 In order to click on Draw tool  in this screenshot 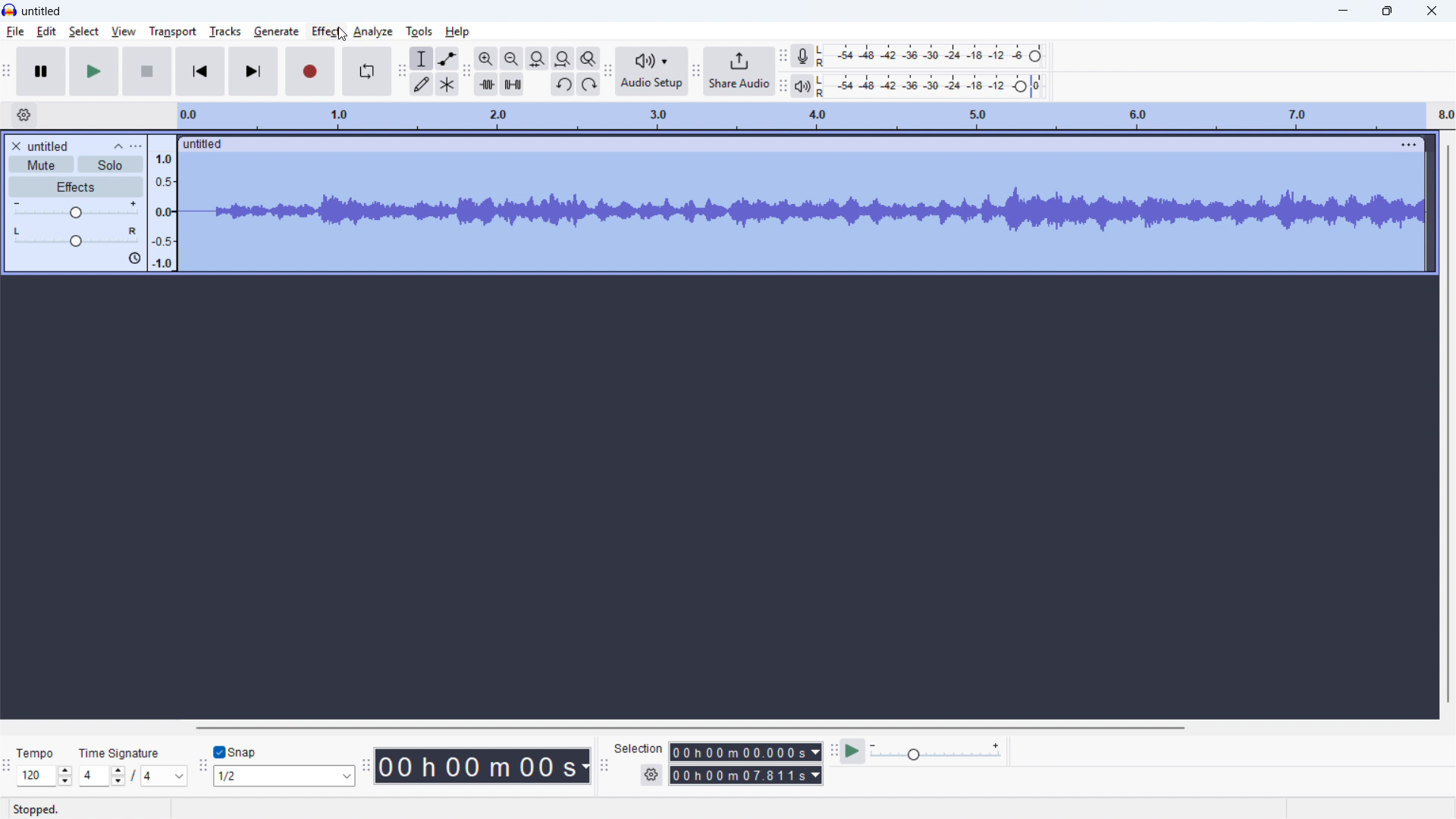, I will do `click(421, 85)`.